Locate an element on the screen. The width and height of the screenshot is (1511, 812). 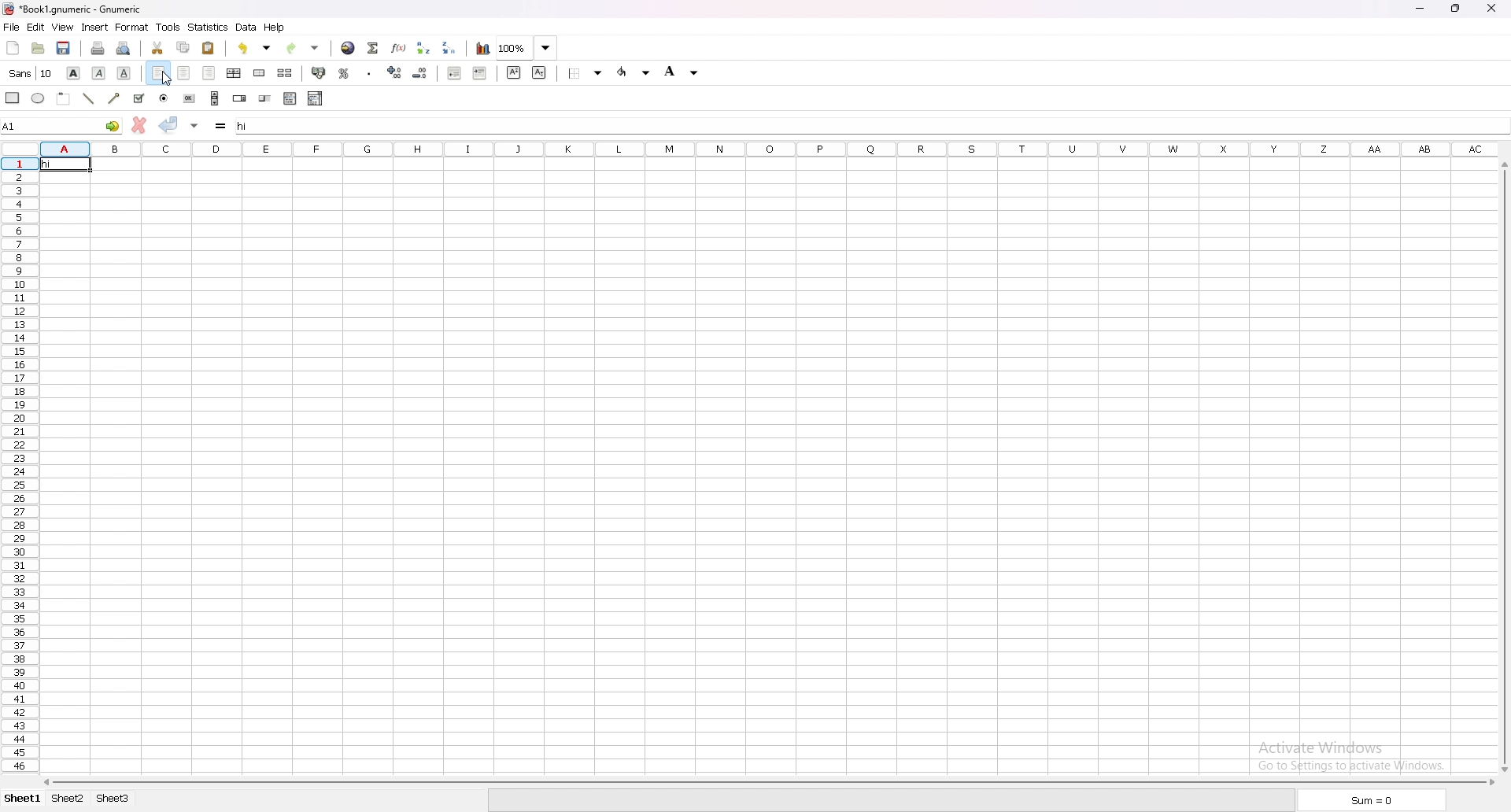
chart is located at coordinates (482, 49).